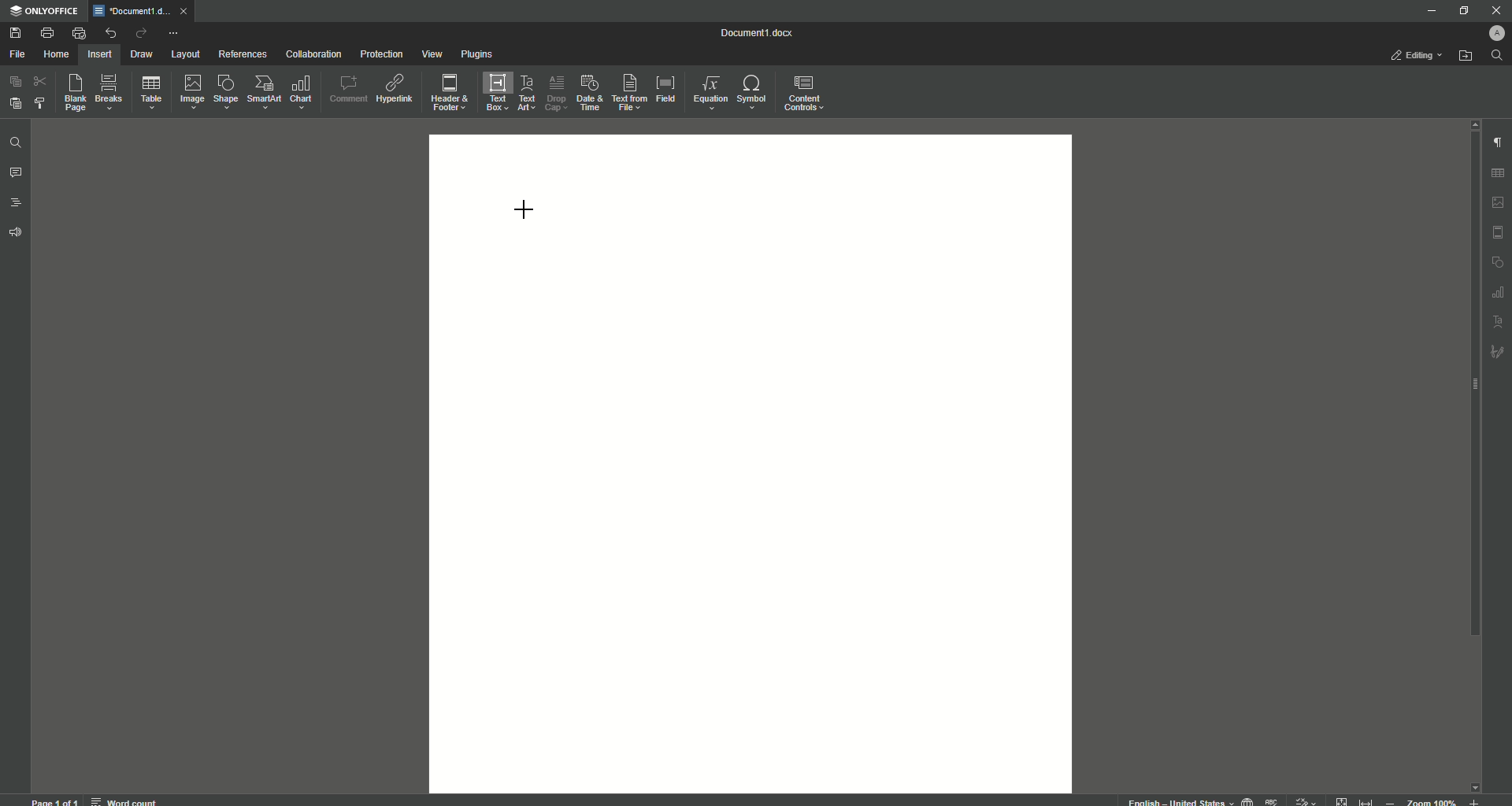 The height and width of the screenshot is (806, 1512). What do you see at coordinates (1499, 202) in the screenshot?
I see `image` at bounding box center [1499, 202].